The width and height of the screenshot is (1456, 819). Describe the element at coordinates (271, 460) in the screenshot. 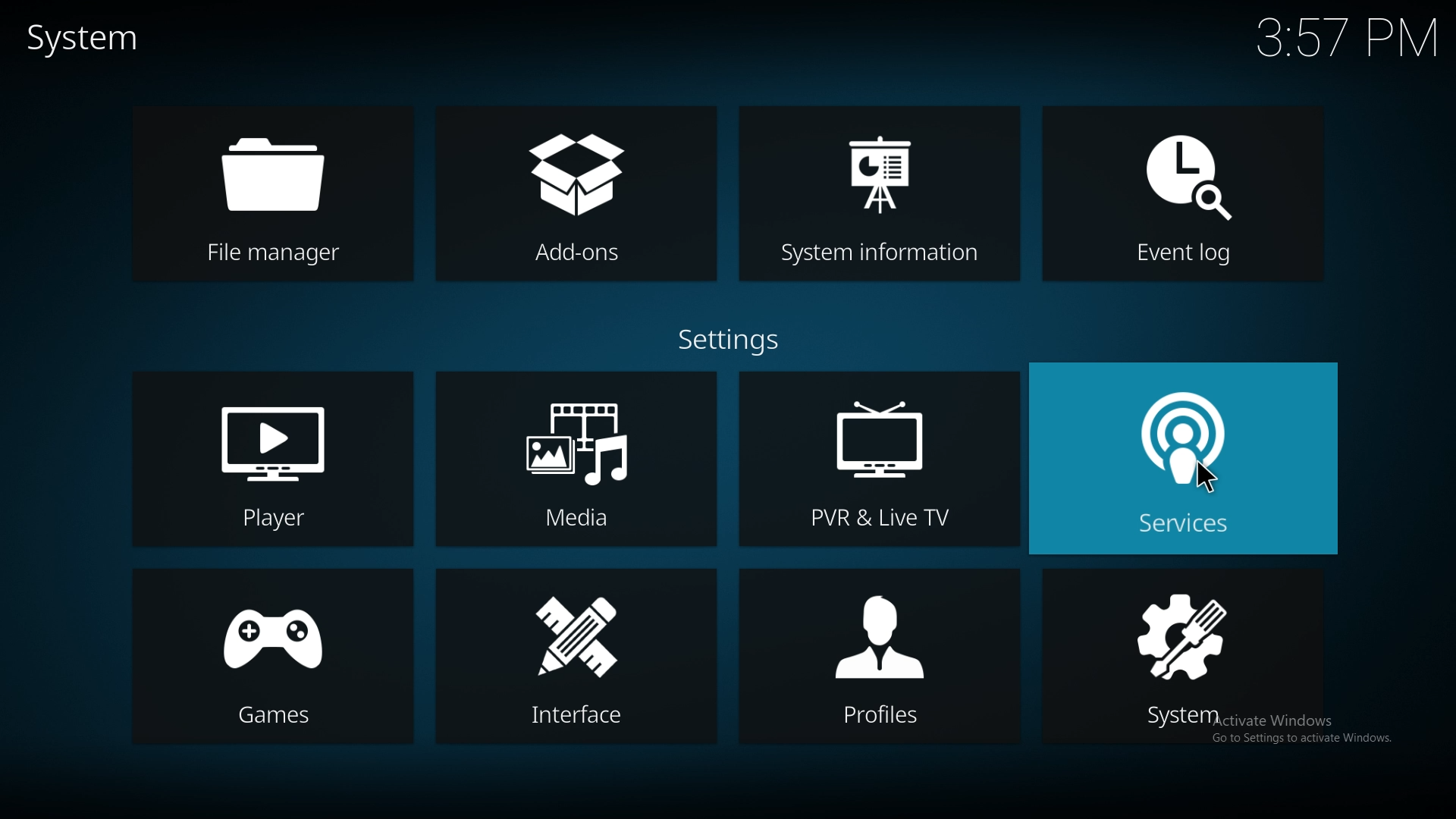

I see `player` at that location.